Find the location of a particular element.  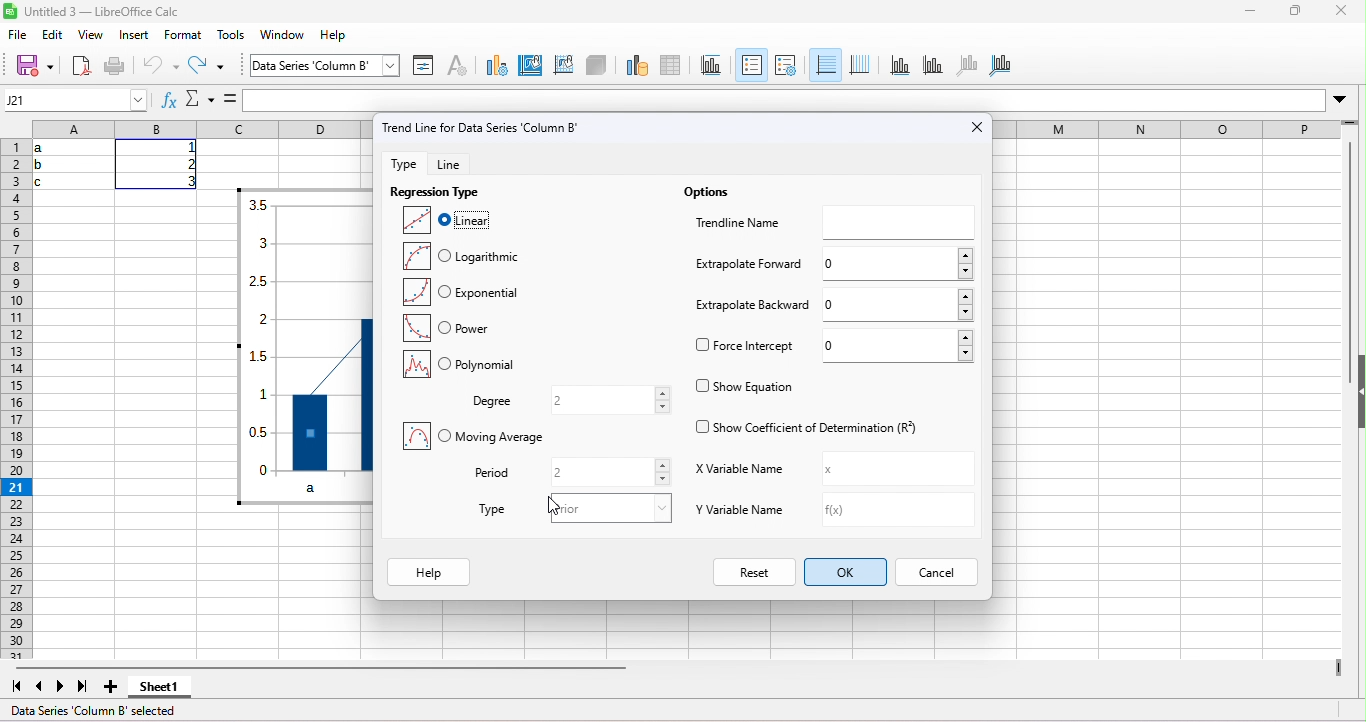

insert is located at coordinates (135, 37).